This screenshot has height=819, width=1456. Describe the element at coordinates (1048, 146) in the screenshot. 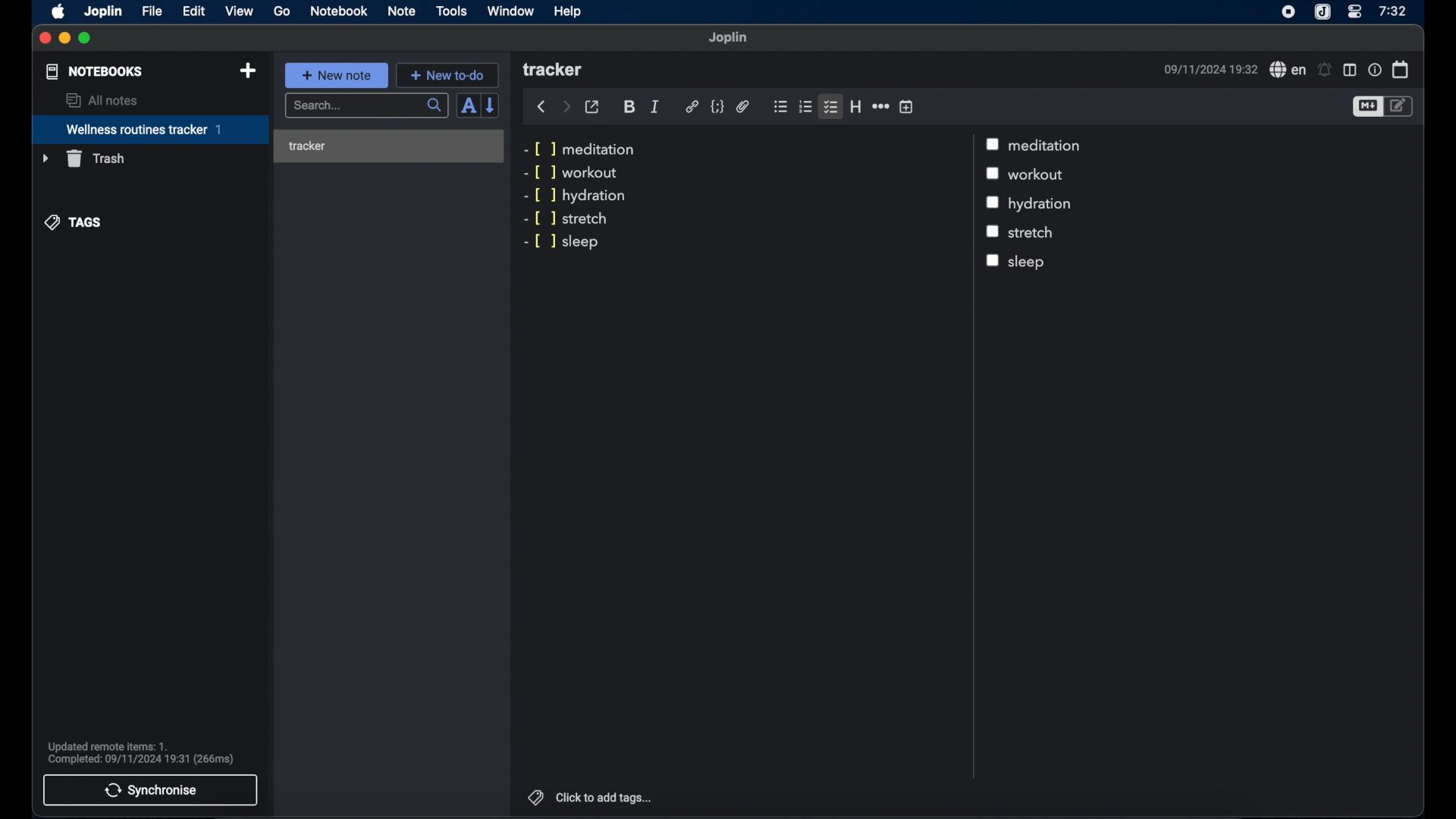

I see `meditation` at that location.